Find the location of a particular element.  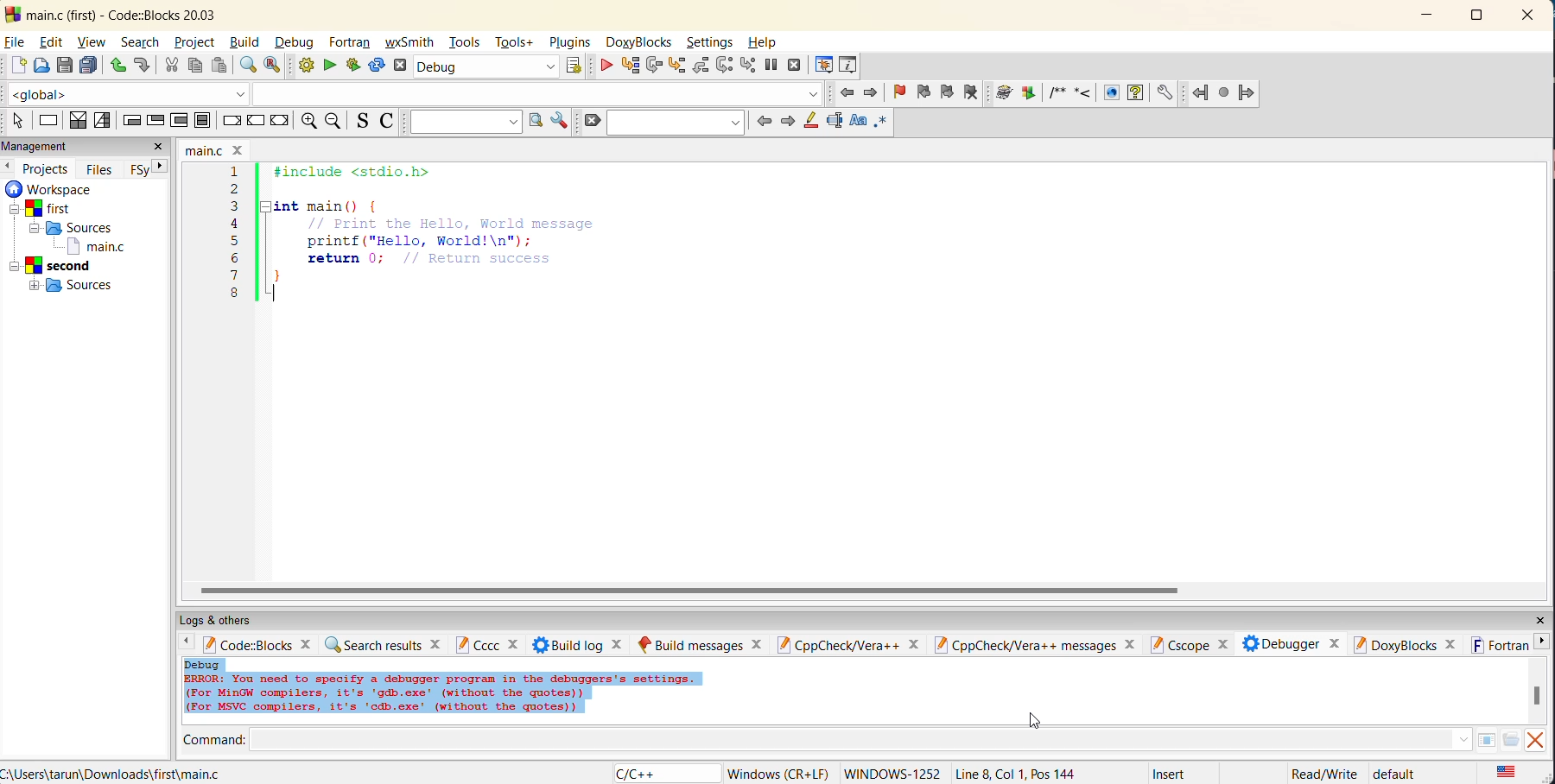

projects is located at coordinates (46, 168).